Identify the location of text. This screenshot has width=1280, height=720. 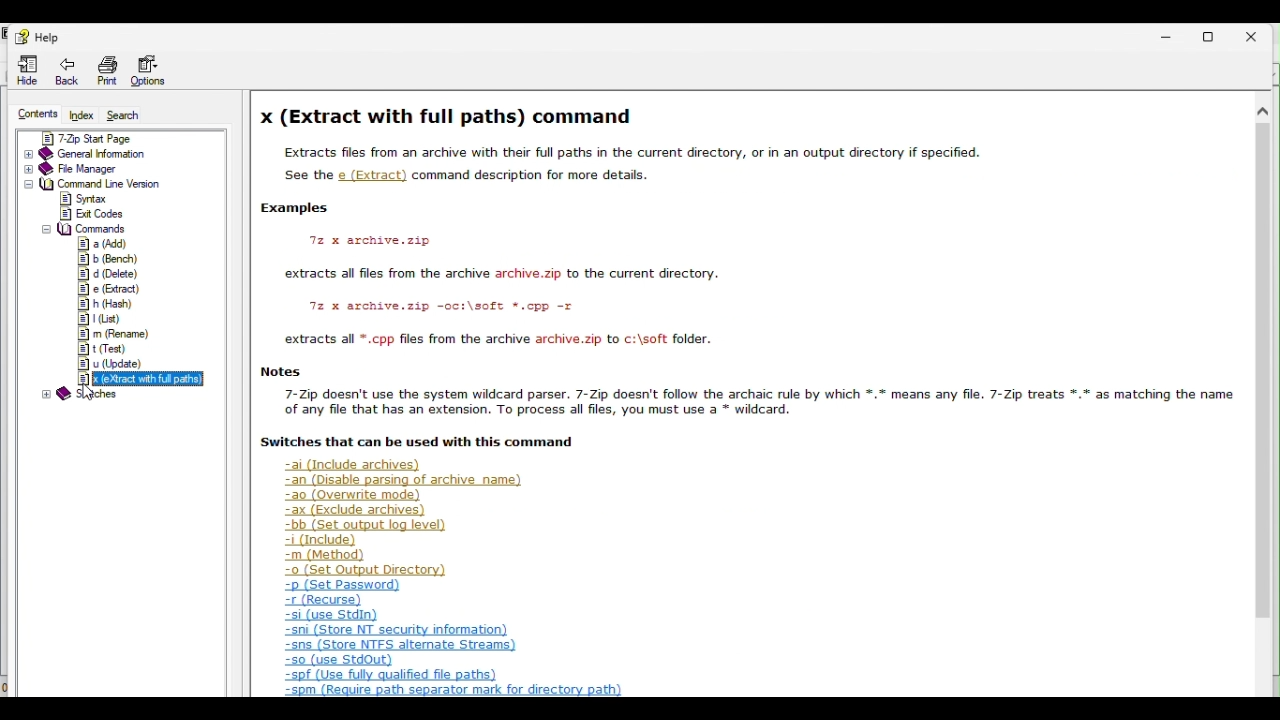
(741, 167).